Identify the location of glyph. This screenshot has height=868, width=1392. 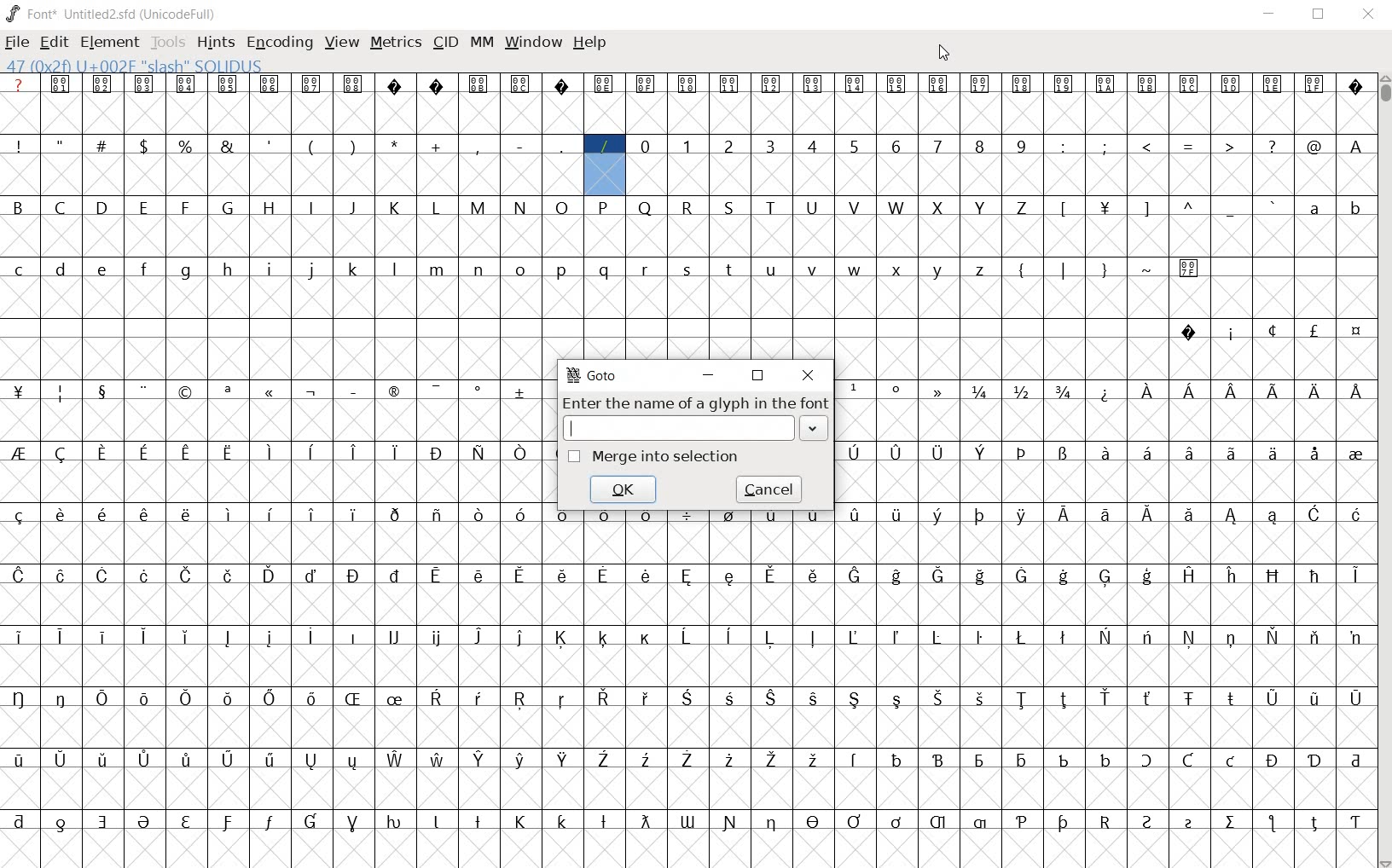
(815, 576).